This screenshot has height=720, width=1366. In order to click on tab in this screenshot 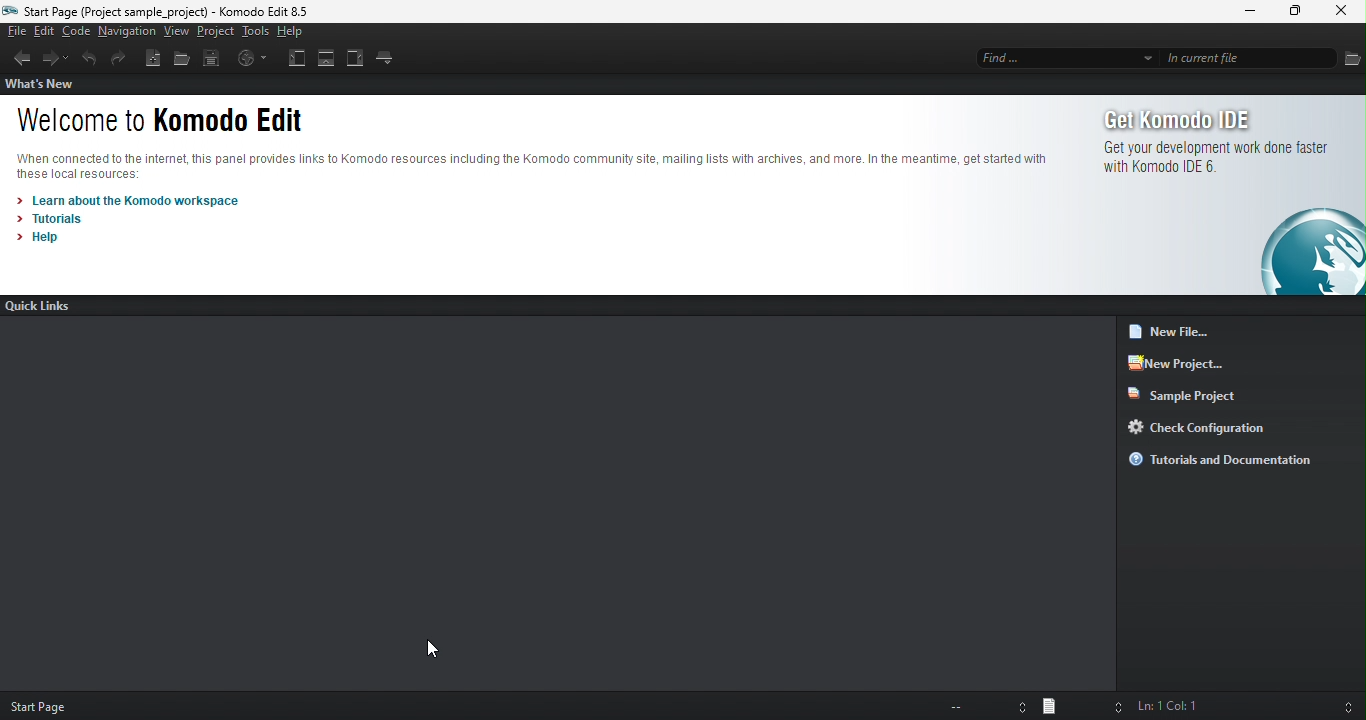, I will do `click(390, 55)`.